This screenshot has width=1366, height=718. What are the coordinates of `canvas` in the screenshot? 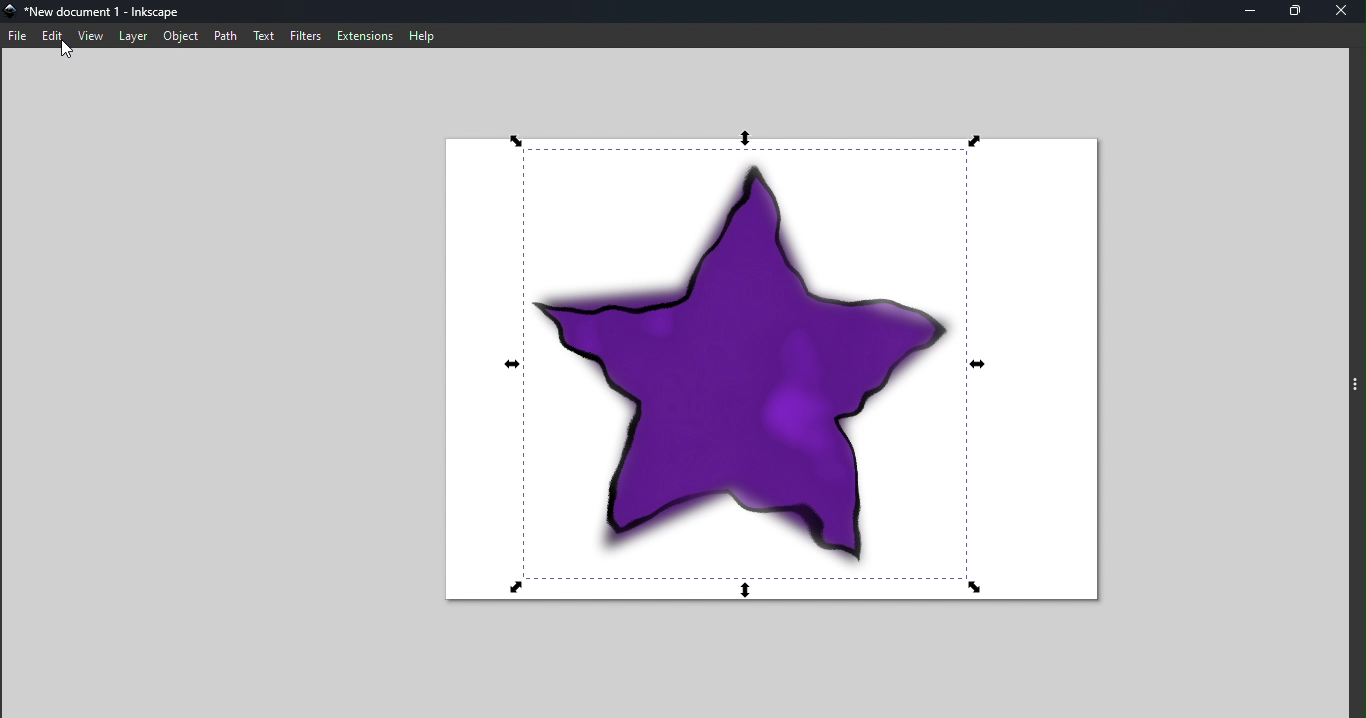 It's located at (767, 377).